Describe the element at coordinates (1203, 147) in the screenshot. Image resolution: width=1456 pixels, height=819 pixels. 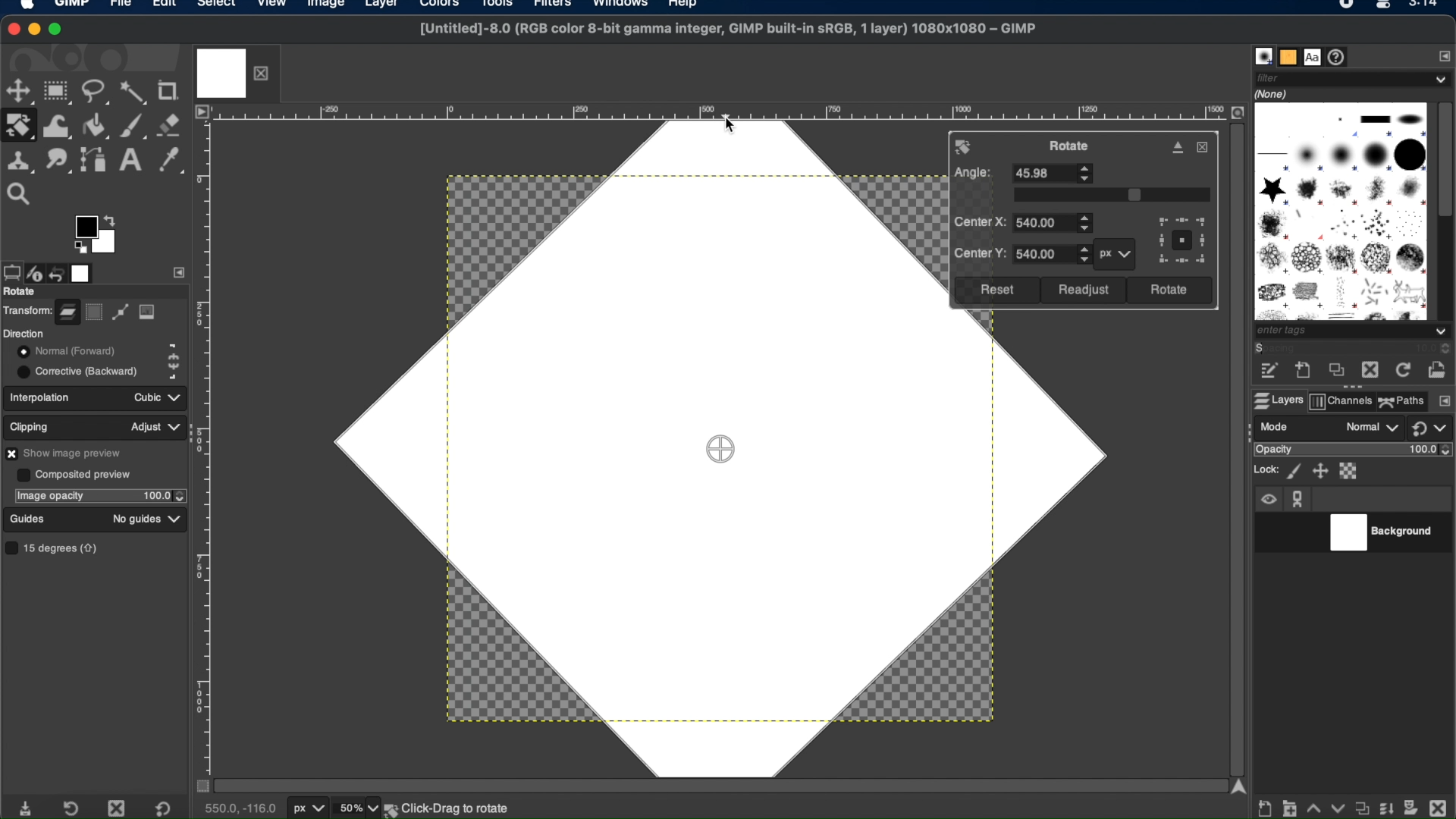
I see `close` at that location.